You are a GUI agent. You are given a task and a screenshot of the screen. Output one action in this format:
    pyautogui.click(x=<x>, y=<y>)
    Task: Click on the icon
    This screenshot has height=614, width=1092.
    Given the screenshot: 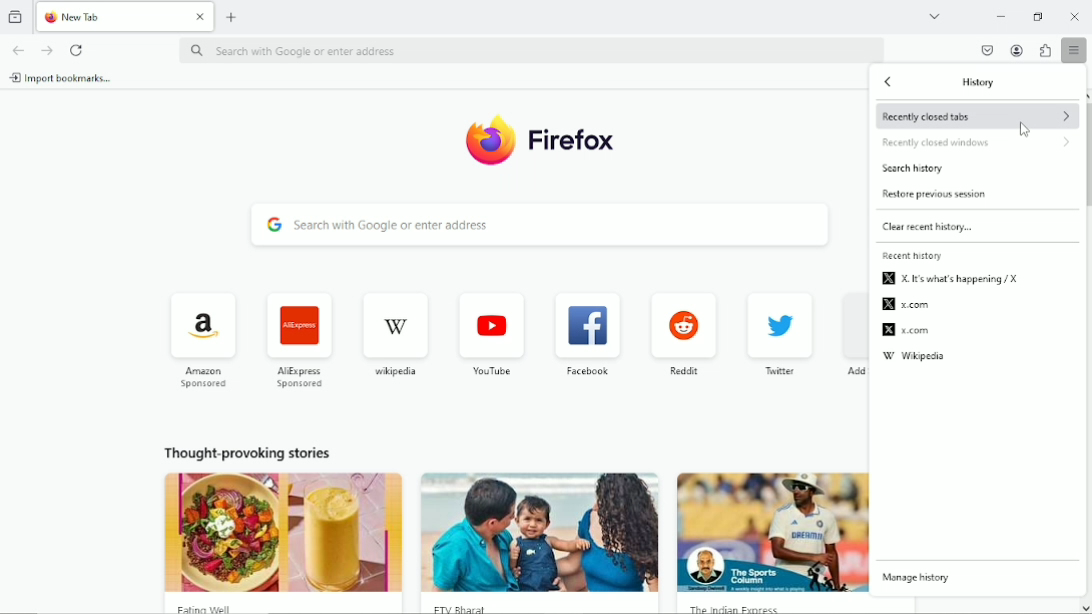 What is the action you would take?
    pyautogui.click(x=773, y=327)
    